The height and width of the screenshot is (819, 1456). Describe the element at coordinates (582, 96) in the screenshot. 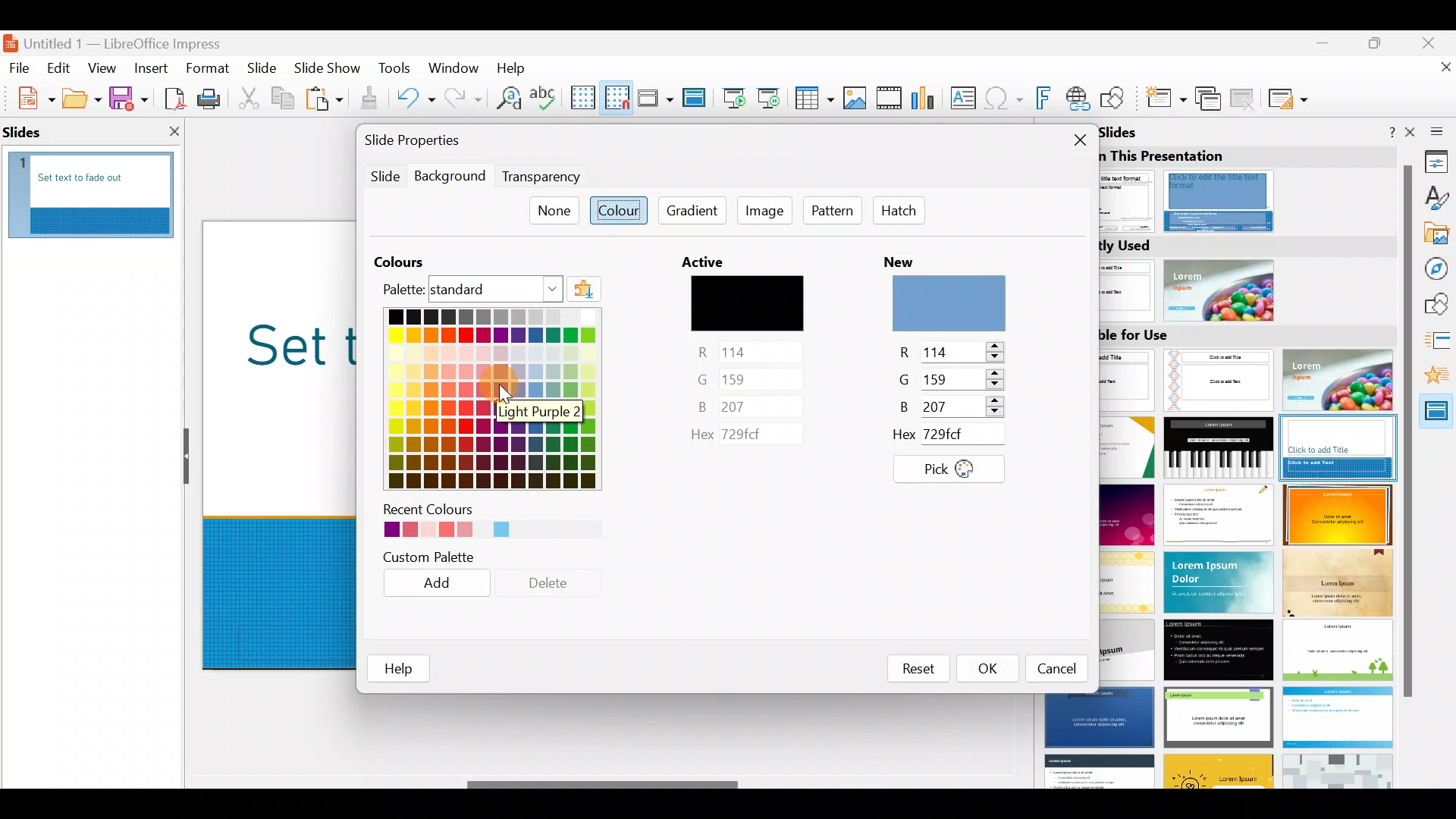

I see `Display grid` at that location.